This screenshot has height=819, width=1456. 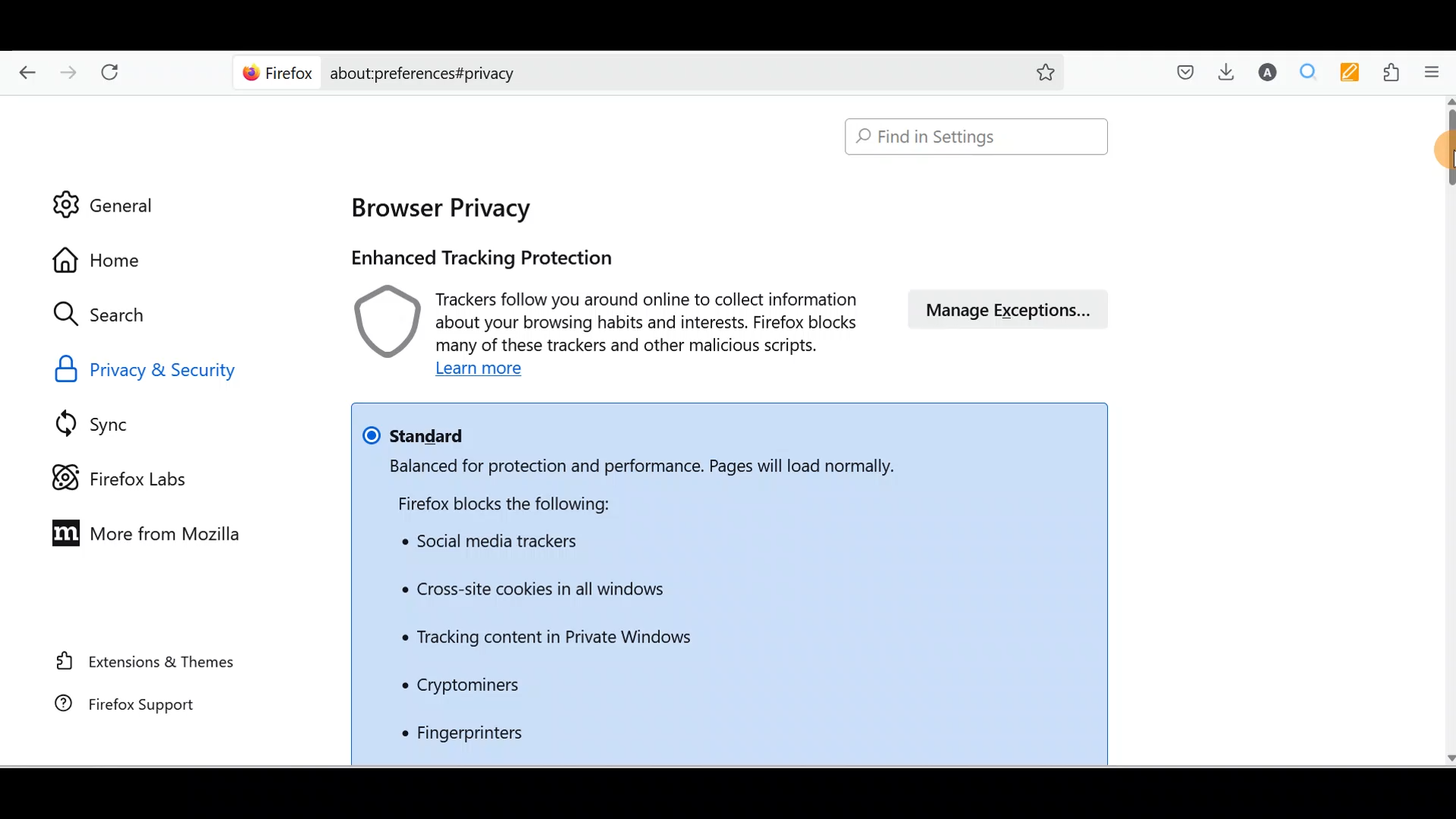 What do you see at coordinates (24, 71) in the screenshot?
I see `Go back one page` at bounding box center [24, 71].